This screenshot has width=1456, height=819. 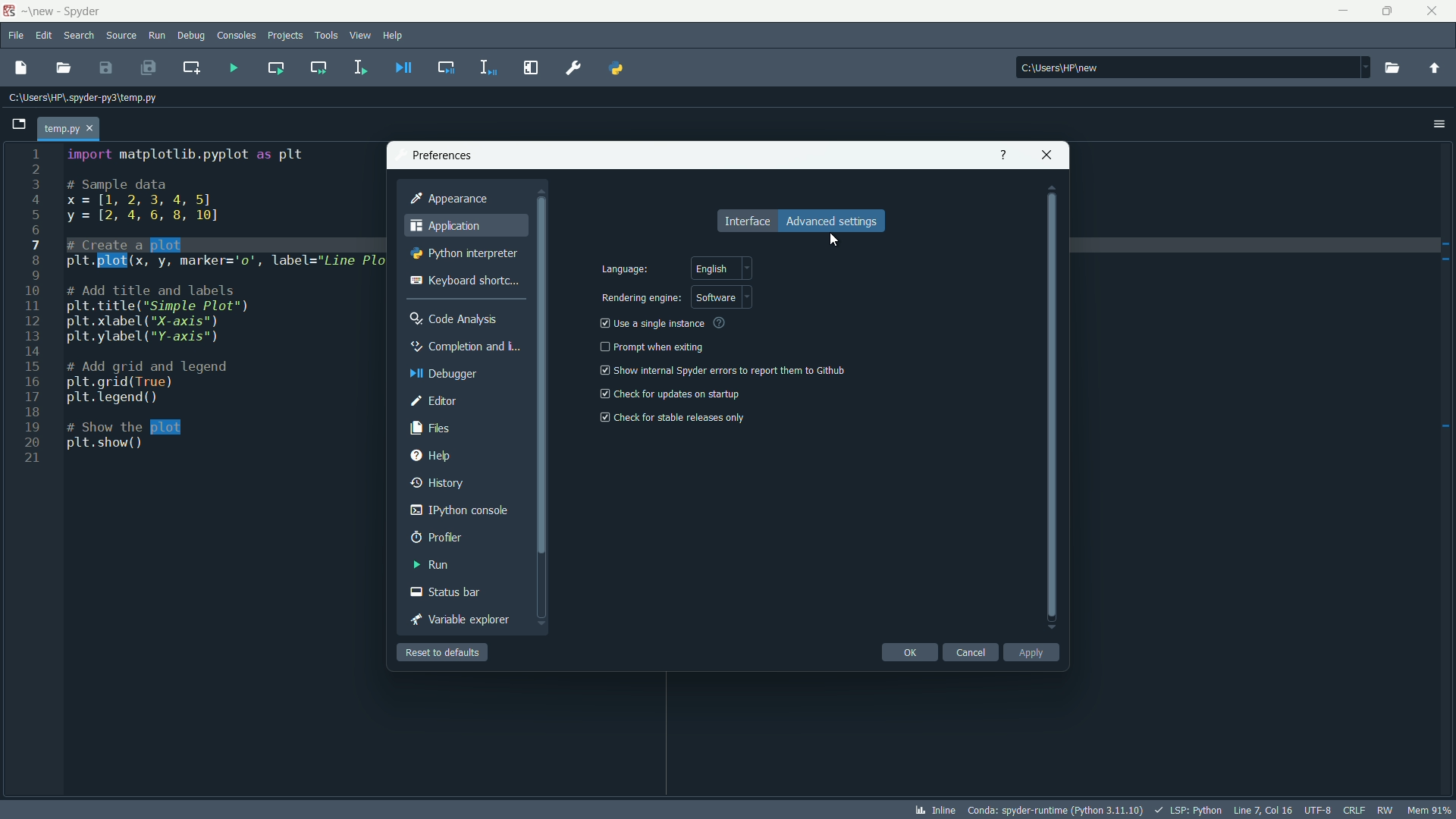 I want to click on current file directory, so click(x=81, y=96).